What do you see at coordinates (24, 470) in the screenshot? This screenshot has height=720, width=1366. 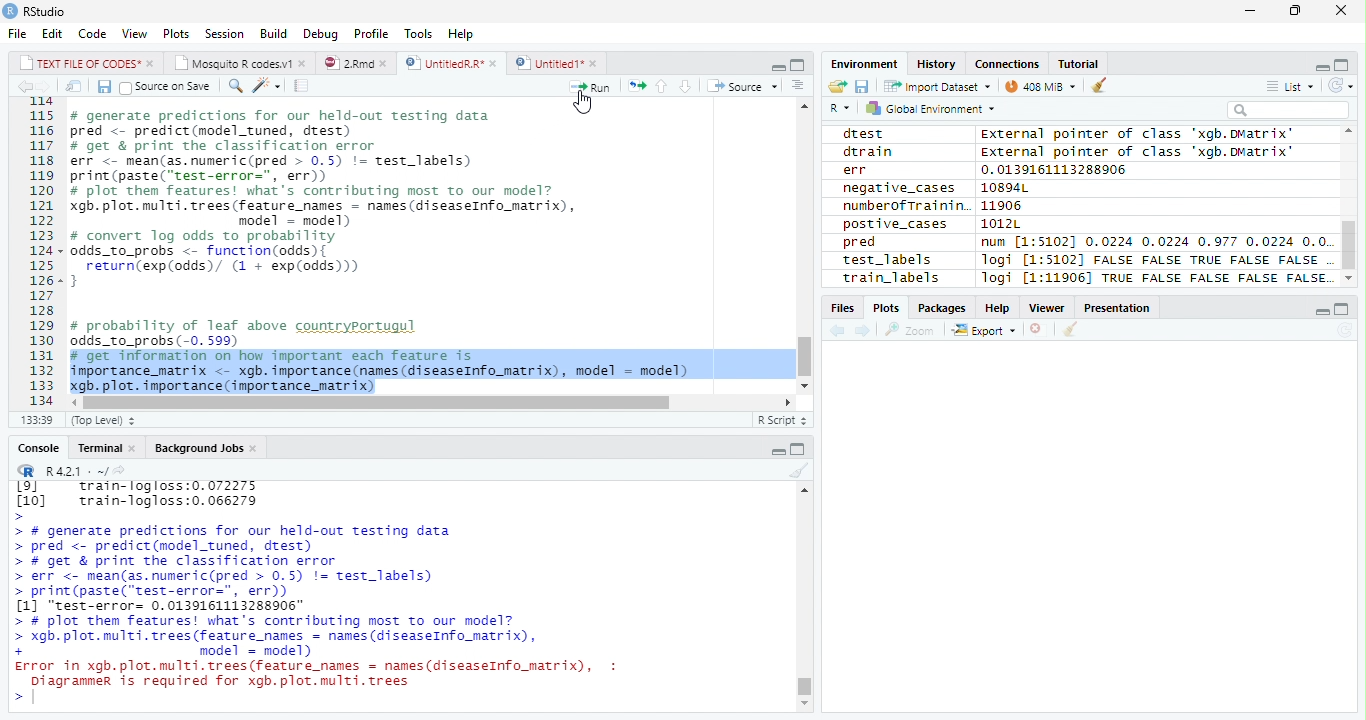 I see `R` at bounding box center [24, 470].